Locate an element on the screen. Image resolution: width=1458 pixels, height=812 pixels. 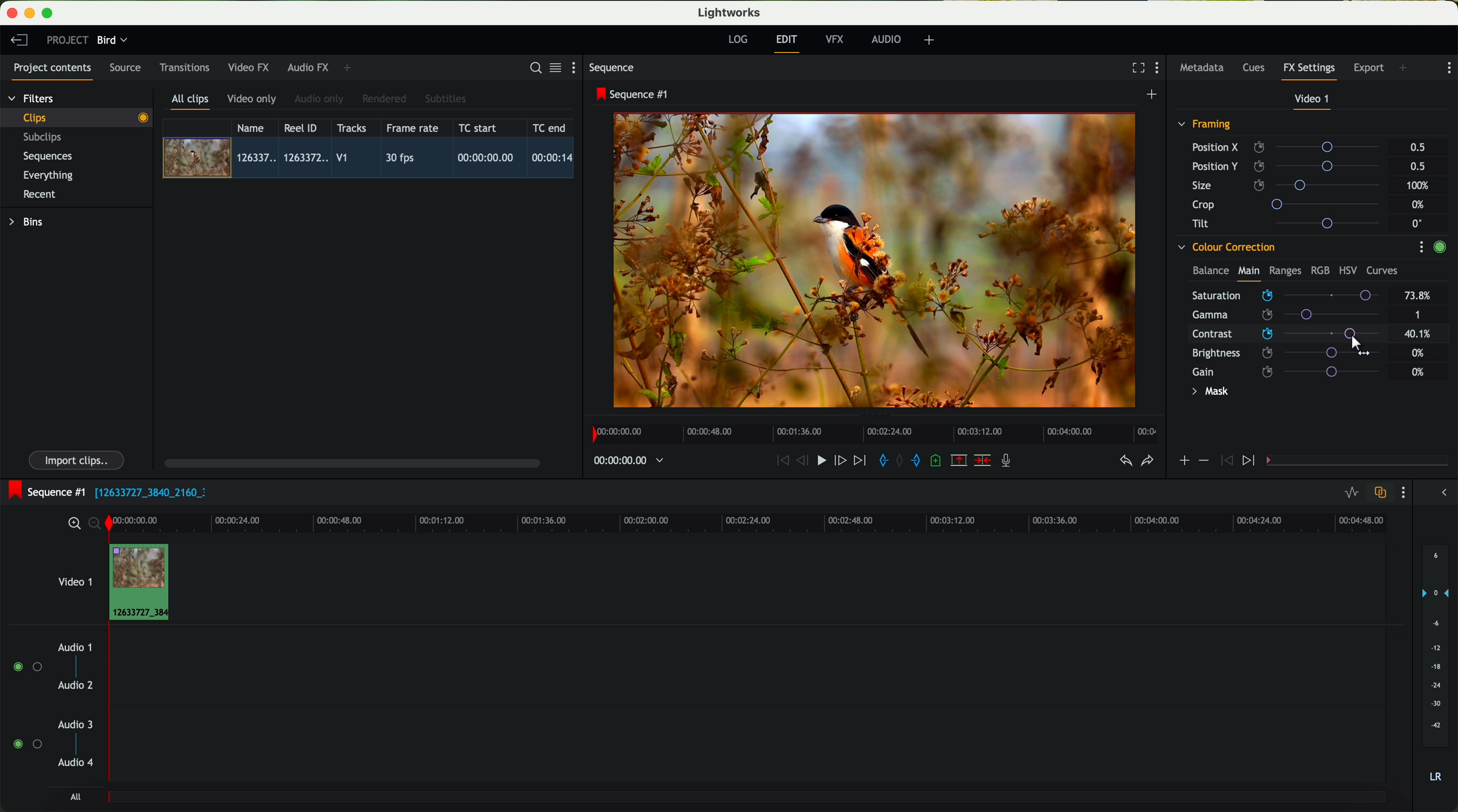
close program is located at coordinates (12, 13).